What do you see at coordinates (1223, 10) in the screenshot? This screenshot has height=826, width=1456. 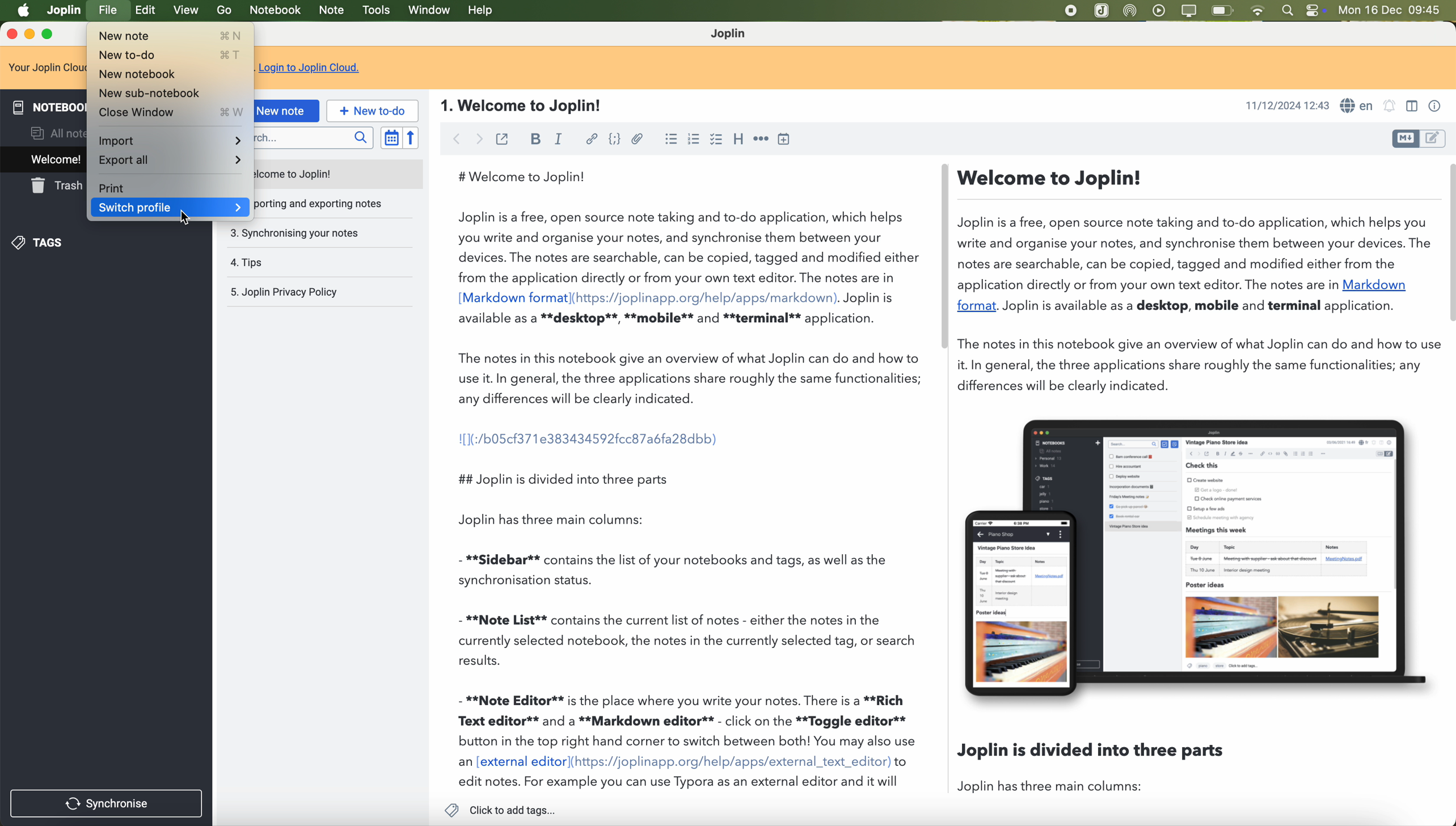 I see `battery` at bounding box center [1223, 10].